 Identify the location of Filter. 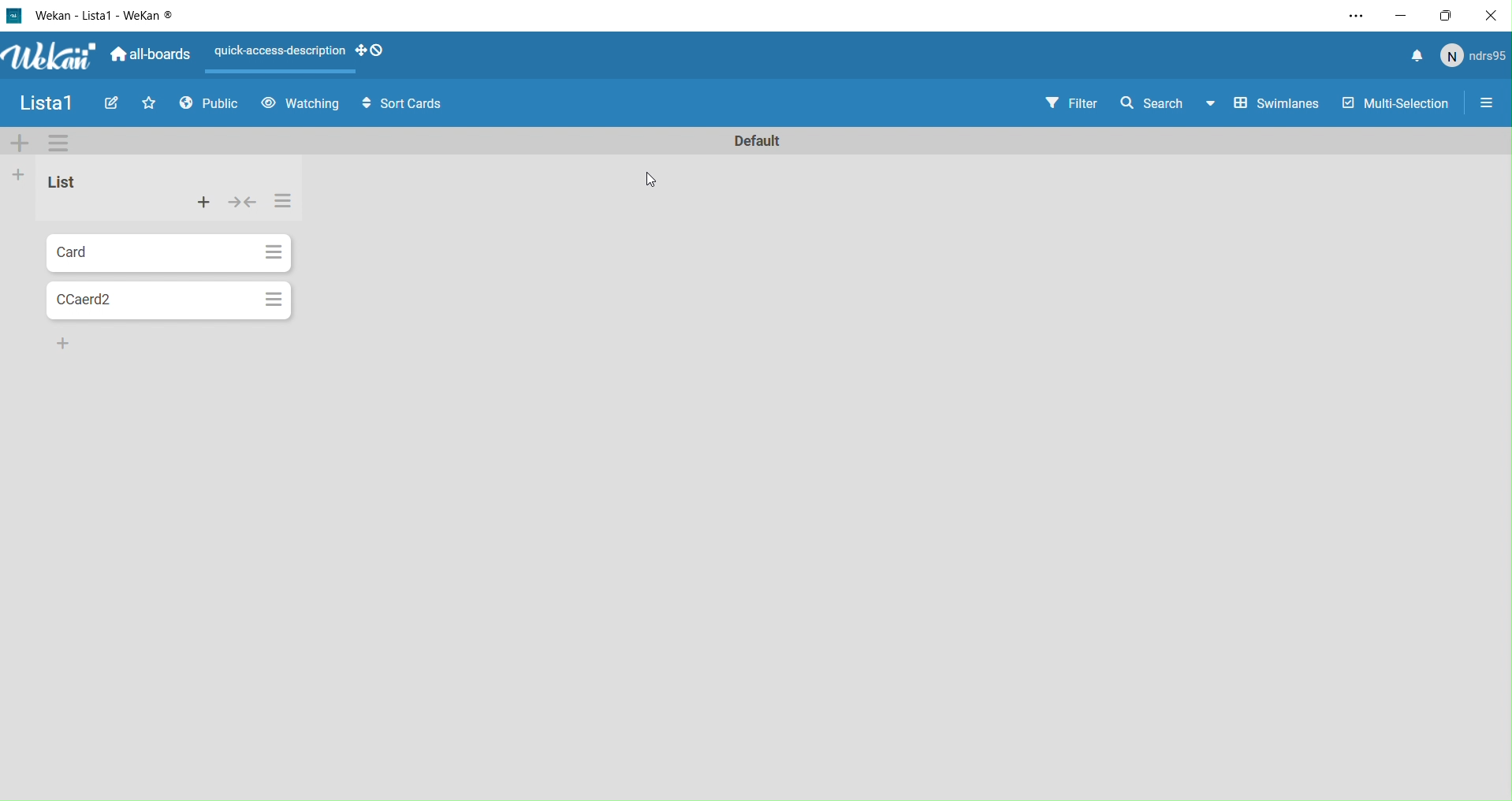
(1072, 101).